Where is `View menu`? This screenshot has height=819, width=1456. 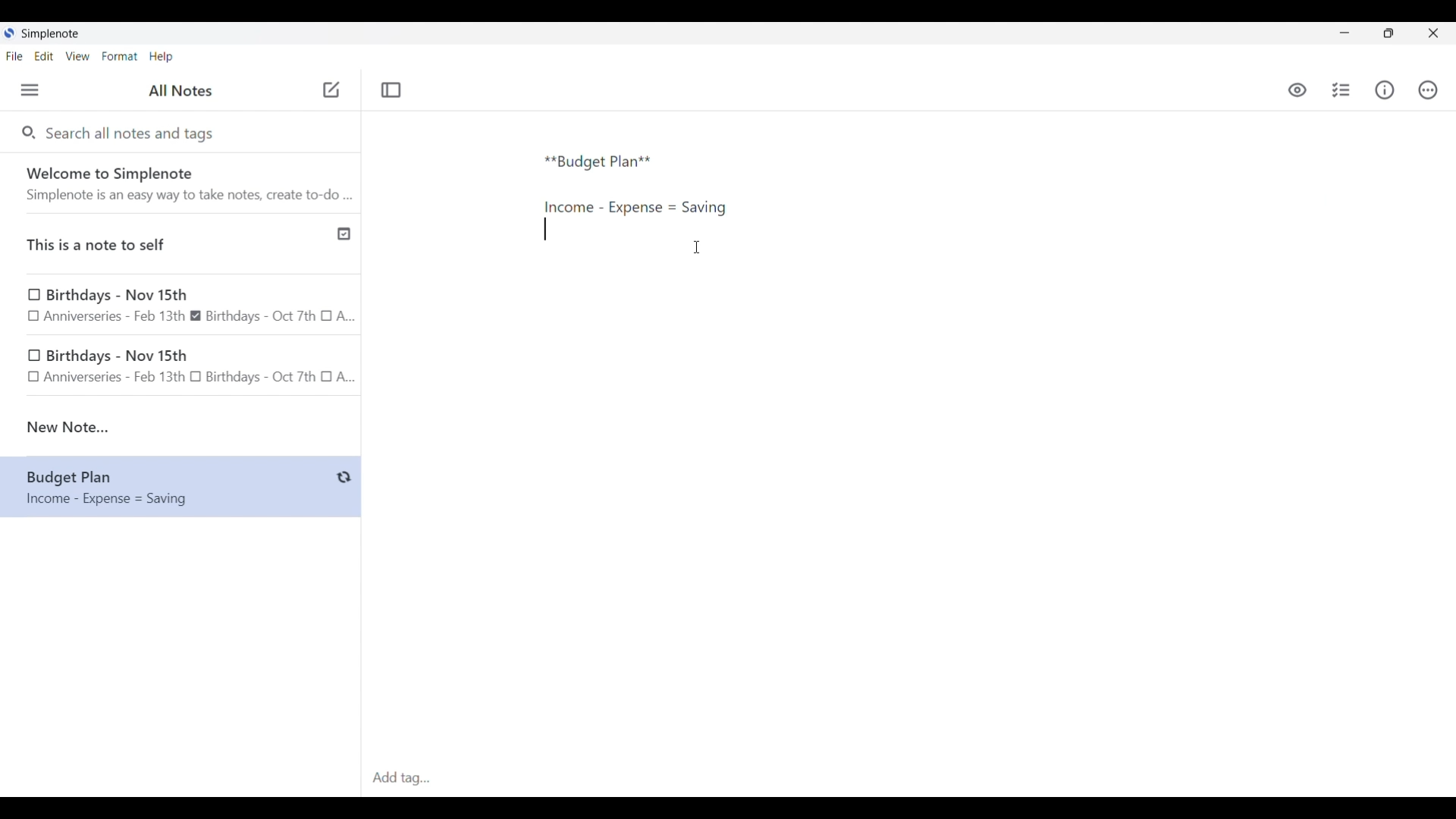
View menu is located at coordinates (78, 55).